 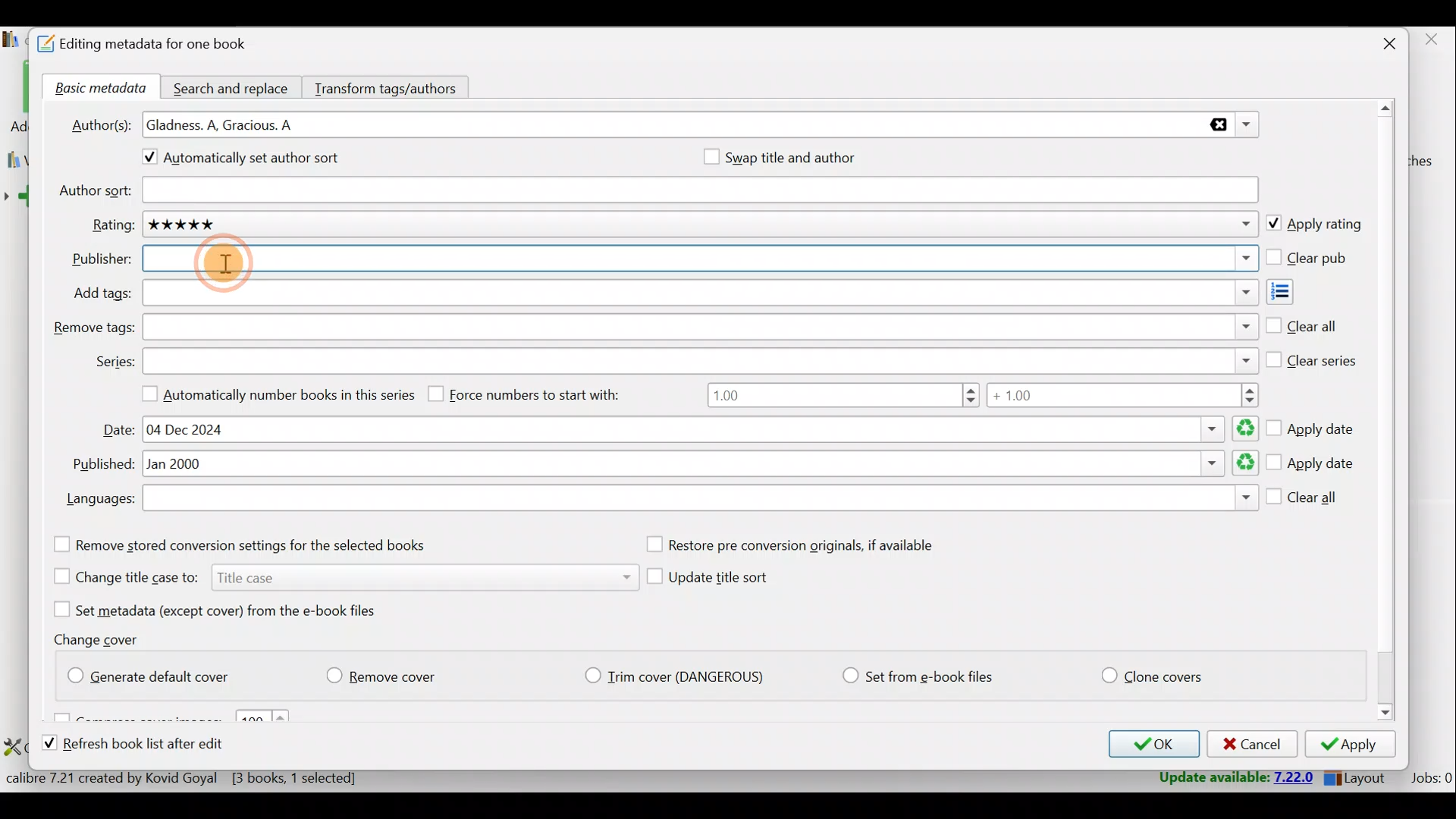 I want to click on close, so click(x=1430, y=40).